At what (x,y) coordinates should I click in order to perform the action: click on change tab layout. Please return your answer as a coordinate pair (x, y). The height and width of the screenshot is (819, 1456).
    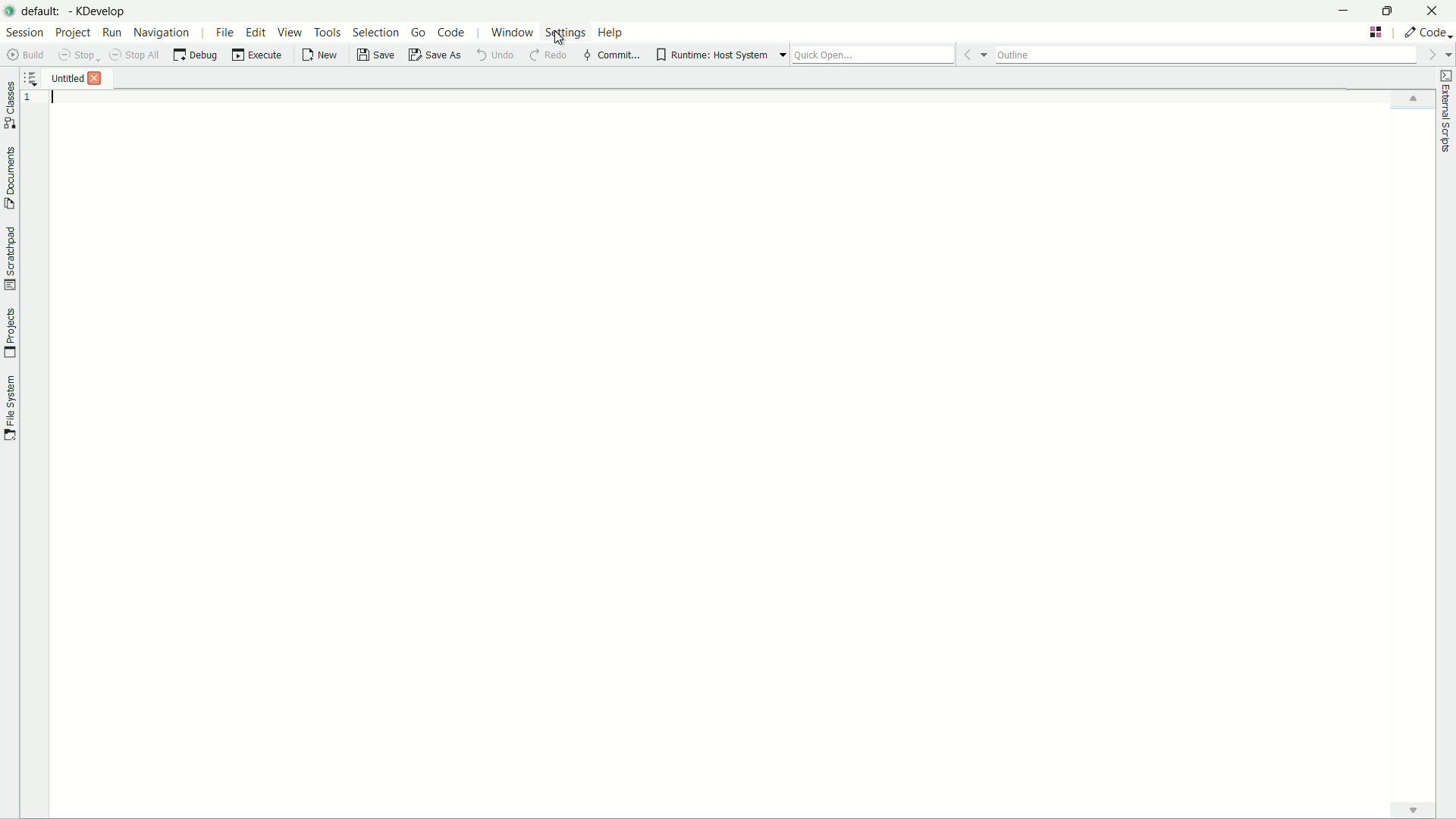
    Looking at the image, I should click on (1376, 32).